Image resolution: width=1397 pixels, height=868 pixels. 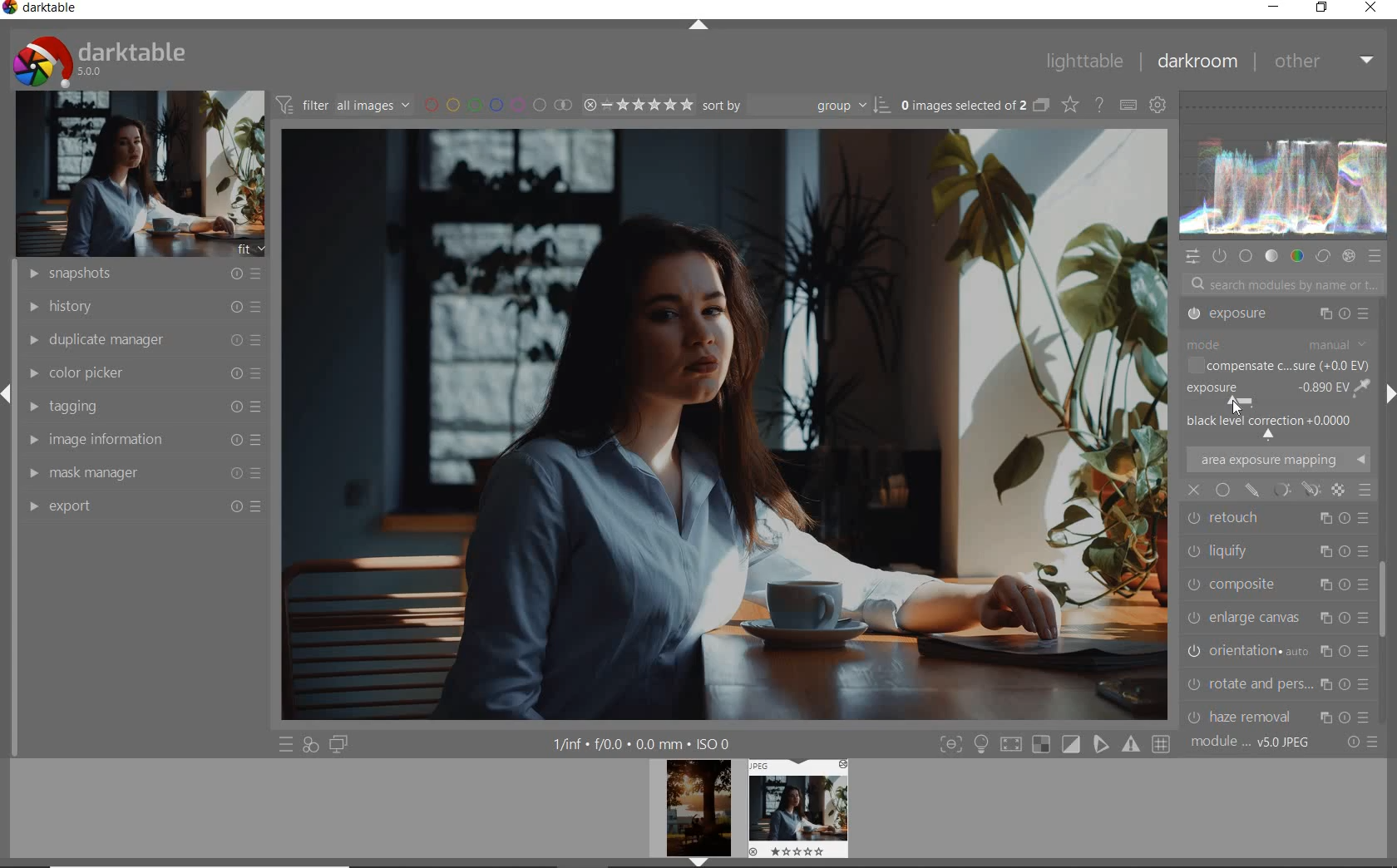 What do you see at coordinates (1376, 257) in the screenshot?
I see `PRESET` at bounding box center [1376, 257].